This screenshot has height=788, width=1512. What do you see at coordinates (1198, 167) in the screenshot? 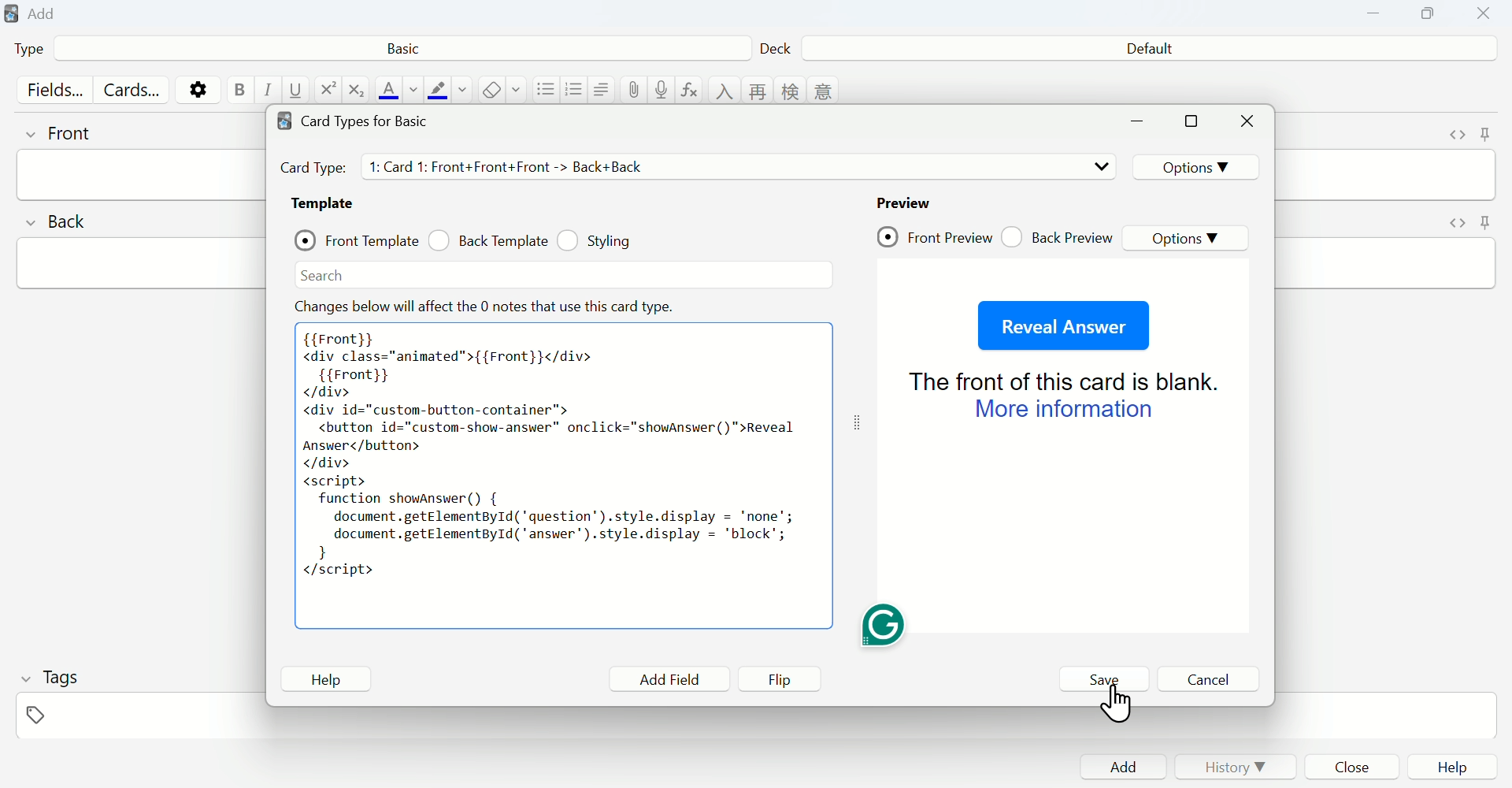
I see `Options` at bounding box center [1198, 167].